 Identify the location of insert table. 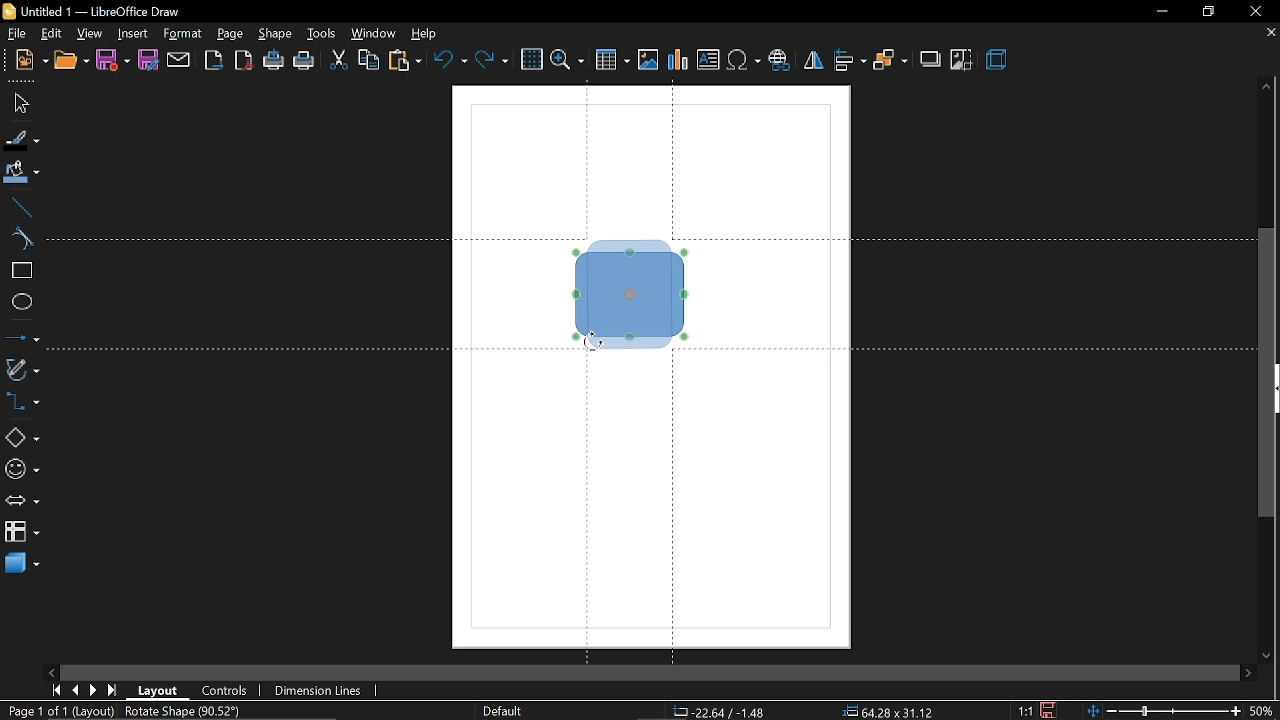
(611, 61).